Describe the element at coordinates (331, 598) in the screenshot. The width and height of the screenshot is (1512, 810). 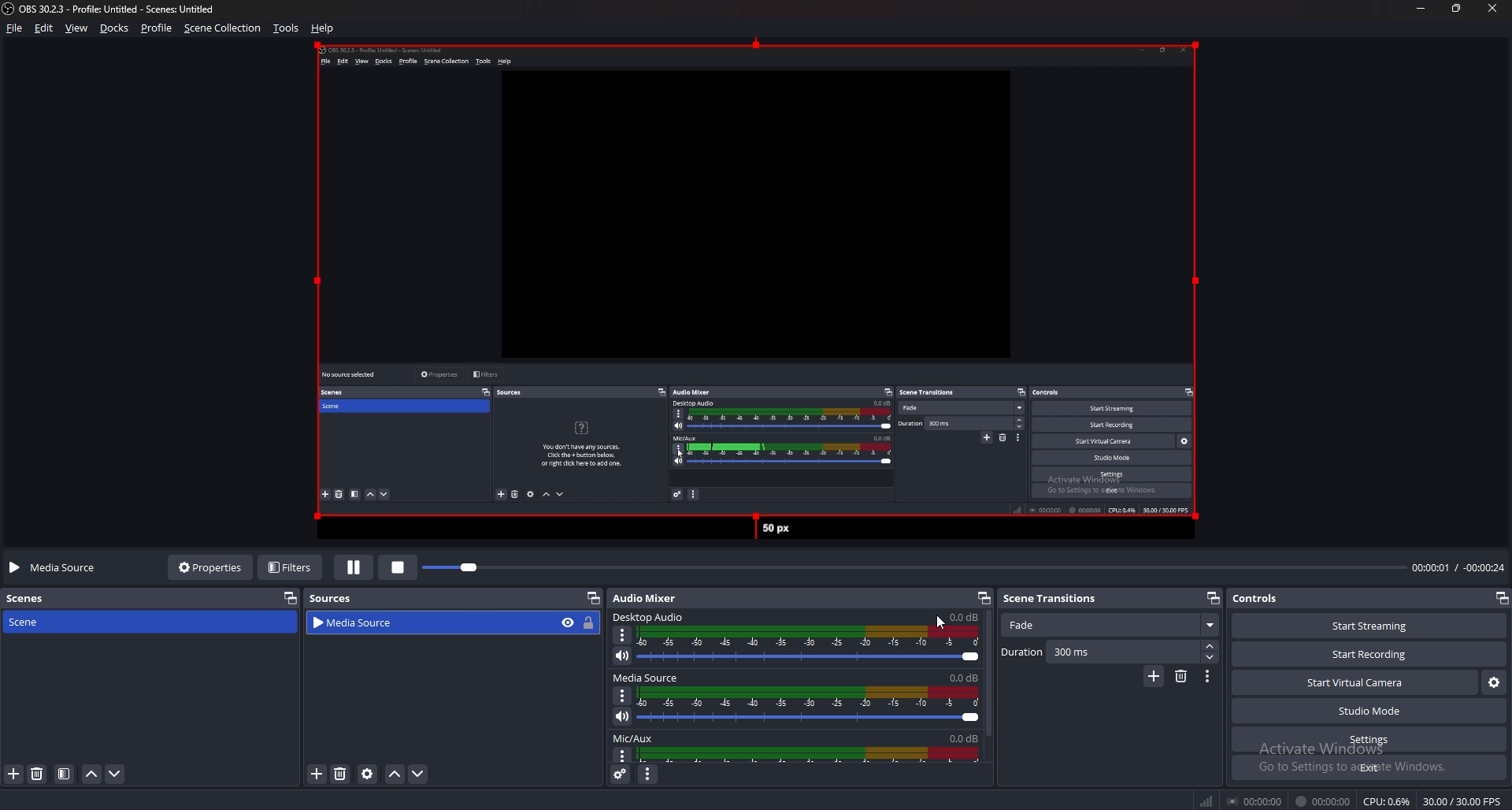
I see `Sources` at that location.